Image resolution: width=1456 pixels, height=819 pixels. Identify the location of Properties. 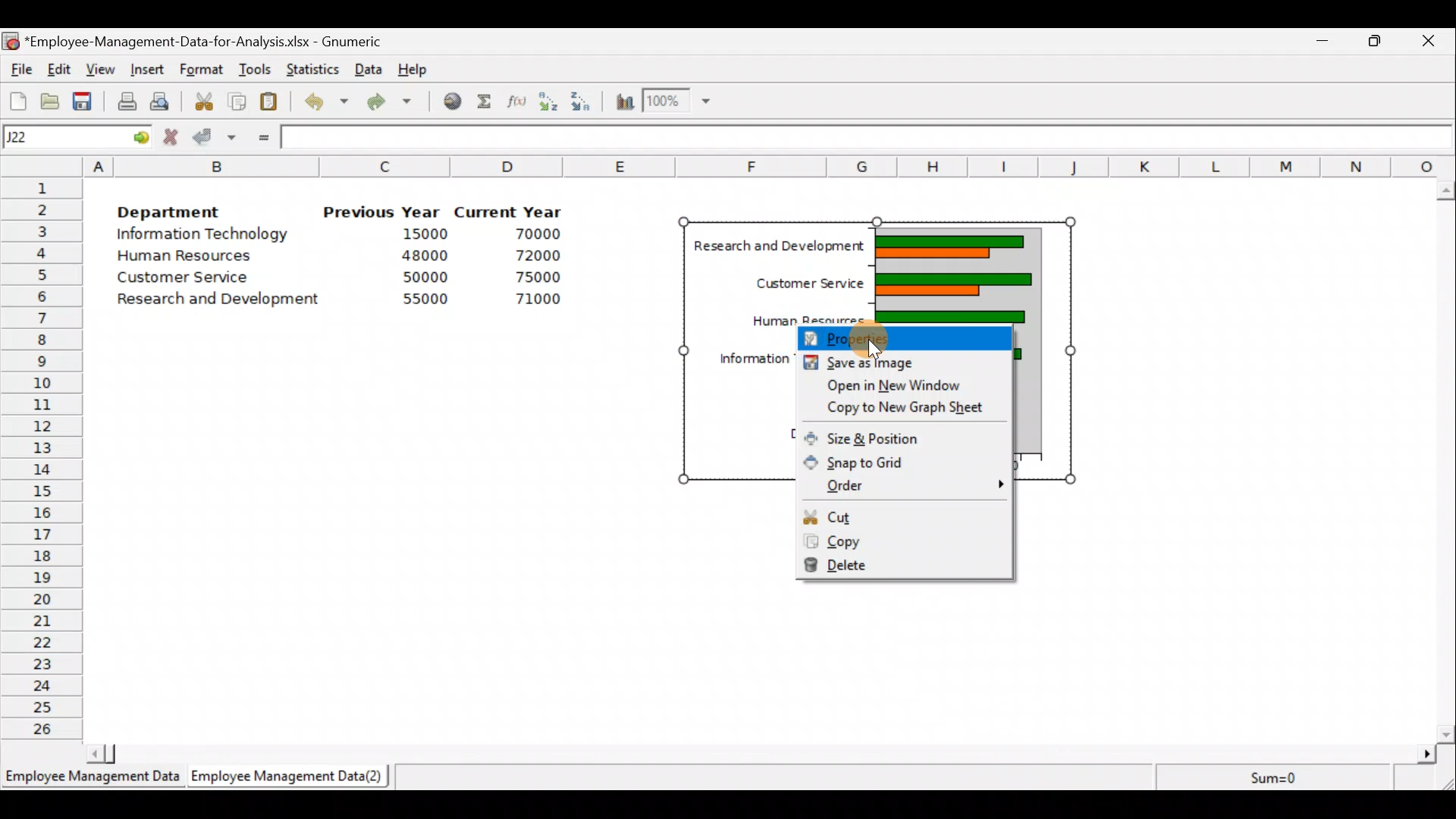
(904, 336).